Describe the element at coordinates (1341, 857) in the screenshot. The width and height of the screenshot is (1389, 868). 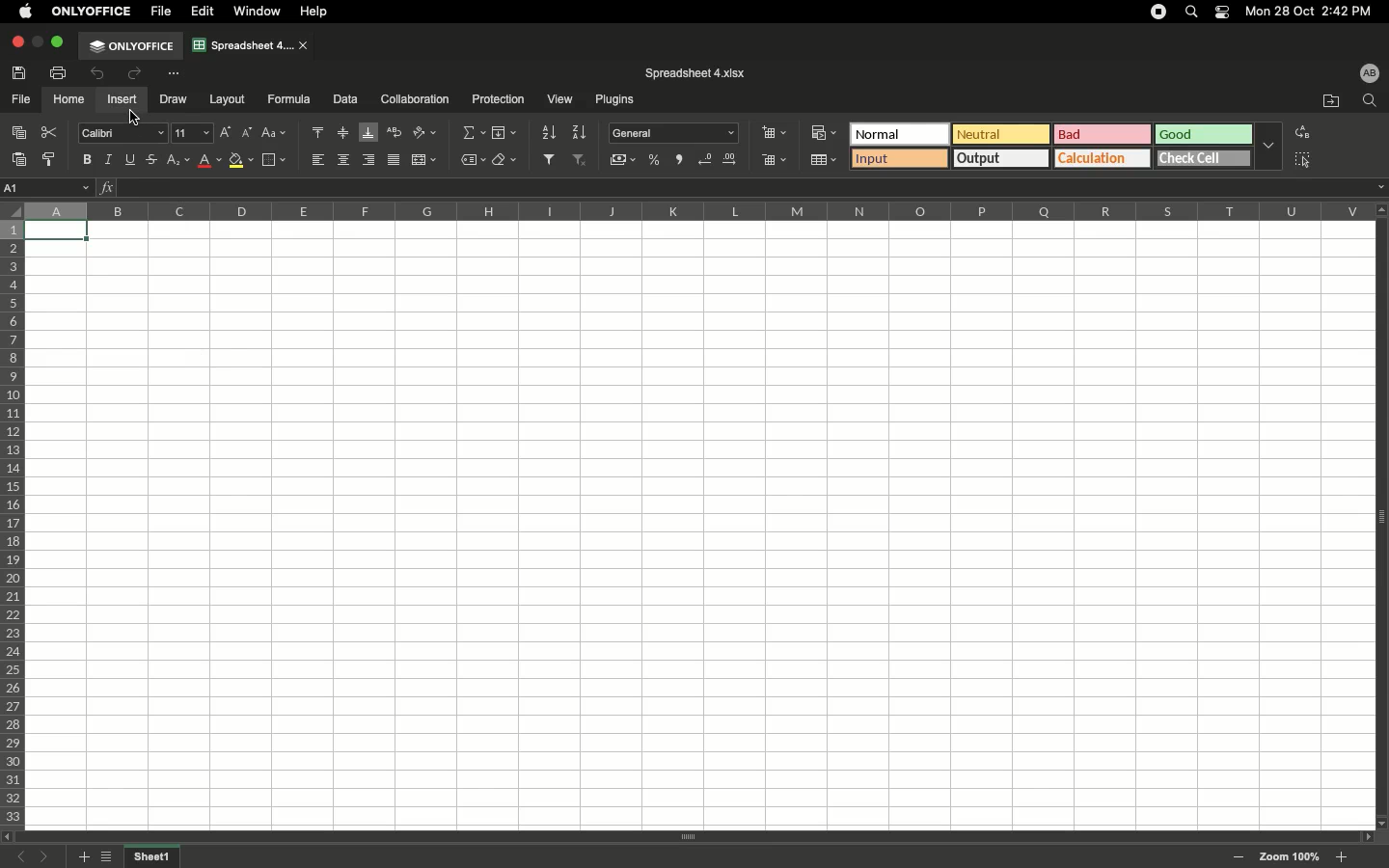
I see `Zoom in` at that location.